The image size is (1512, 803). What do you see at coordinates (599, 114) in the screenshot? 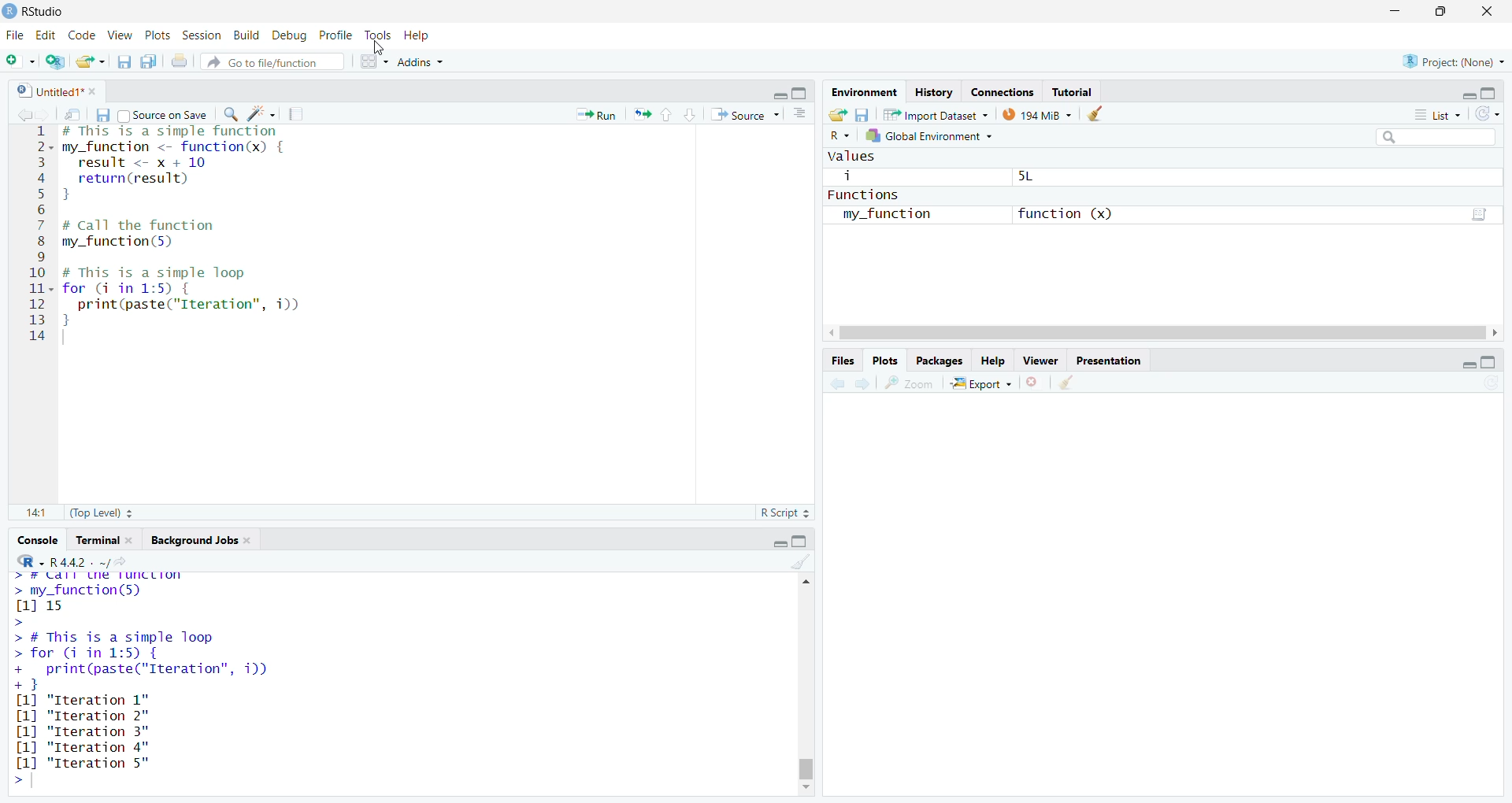
I see `run the current line or selection` at bounding box center [599, 114].